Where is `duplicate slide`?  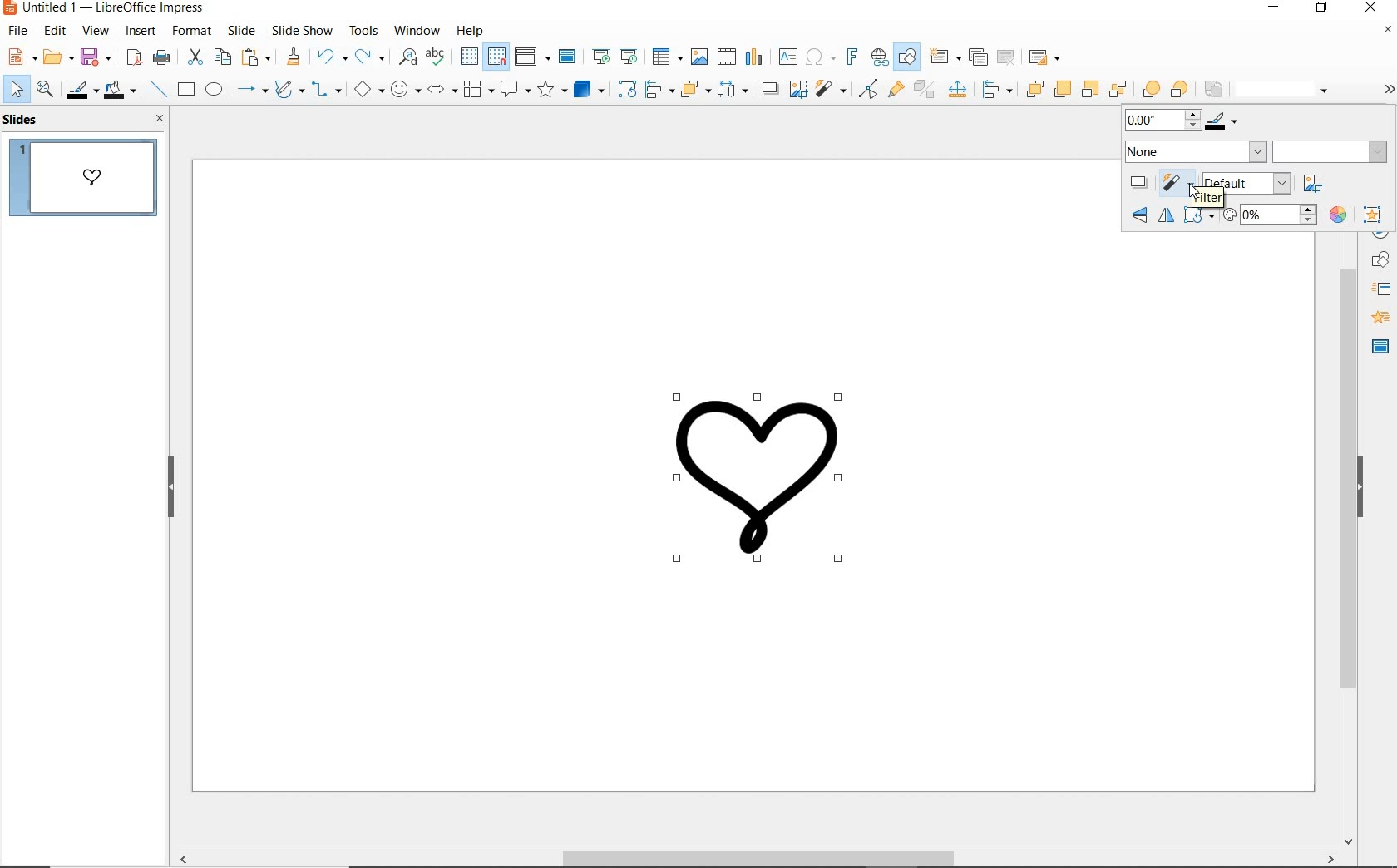 duplicate slide is located at coordinates (976, 57).